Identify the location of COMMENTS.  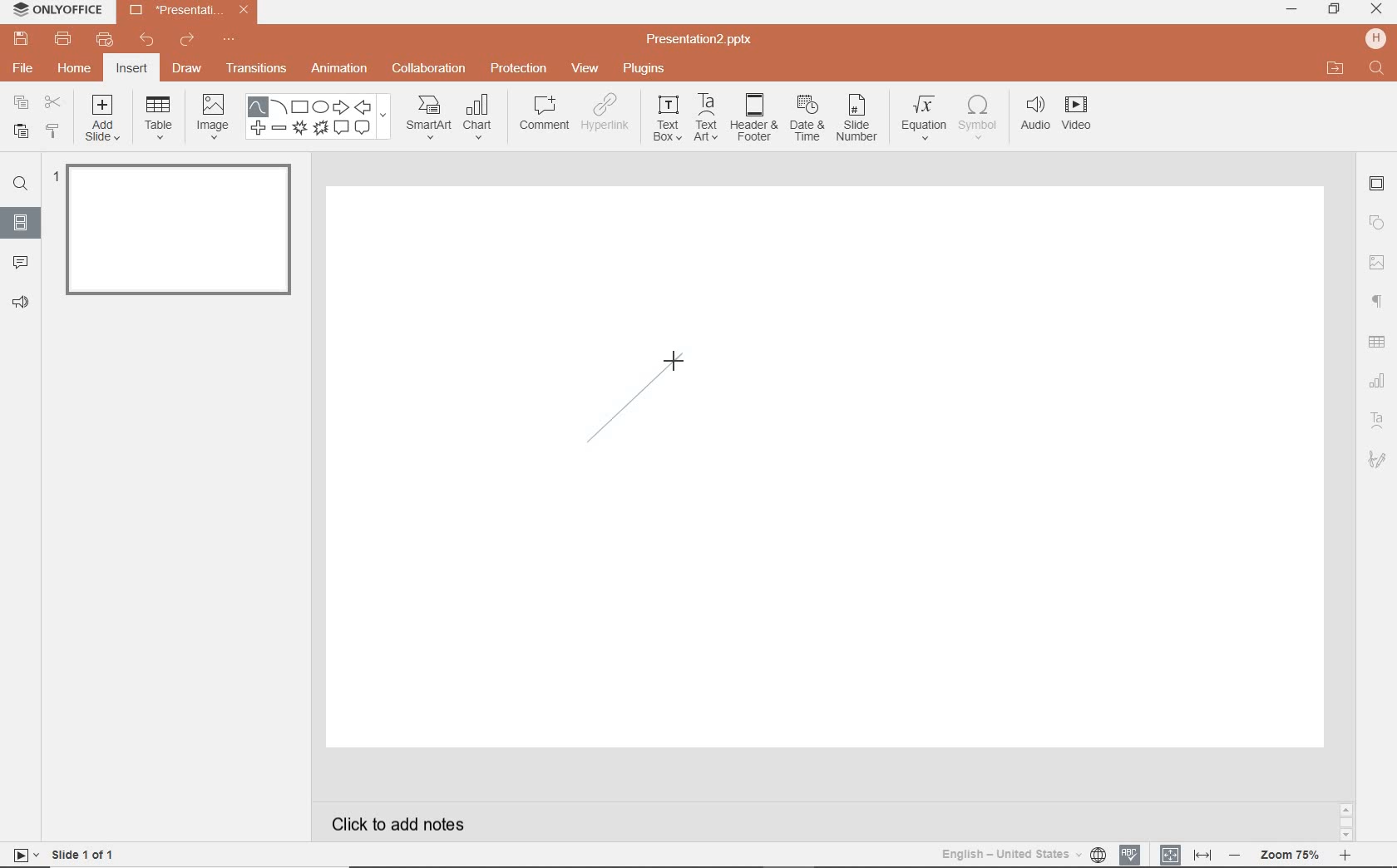
(18, 261).